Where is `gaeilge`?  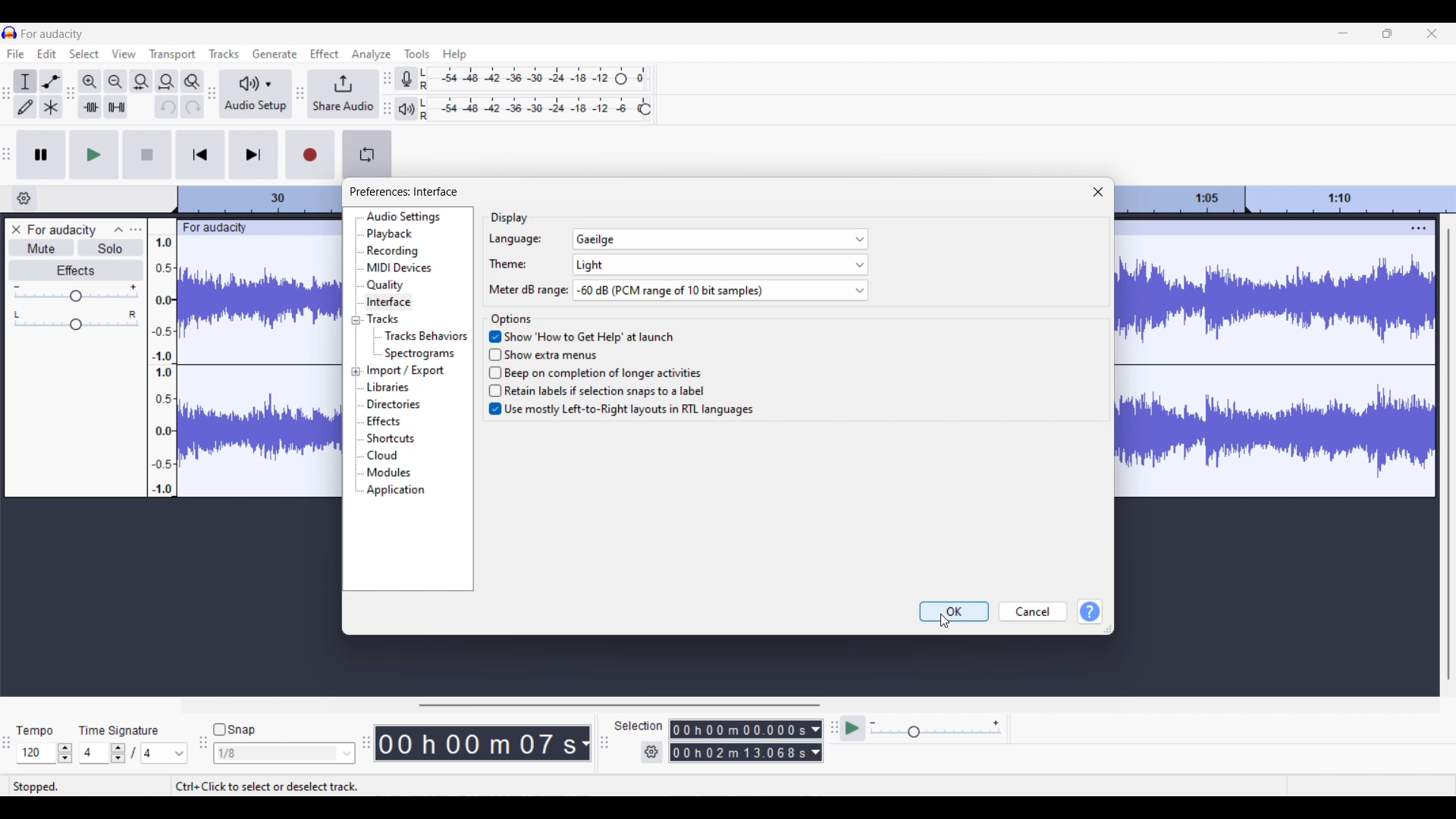
gaeilge is located at coordinates (722, 239).